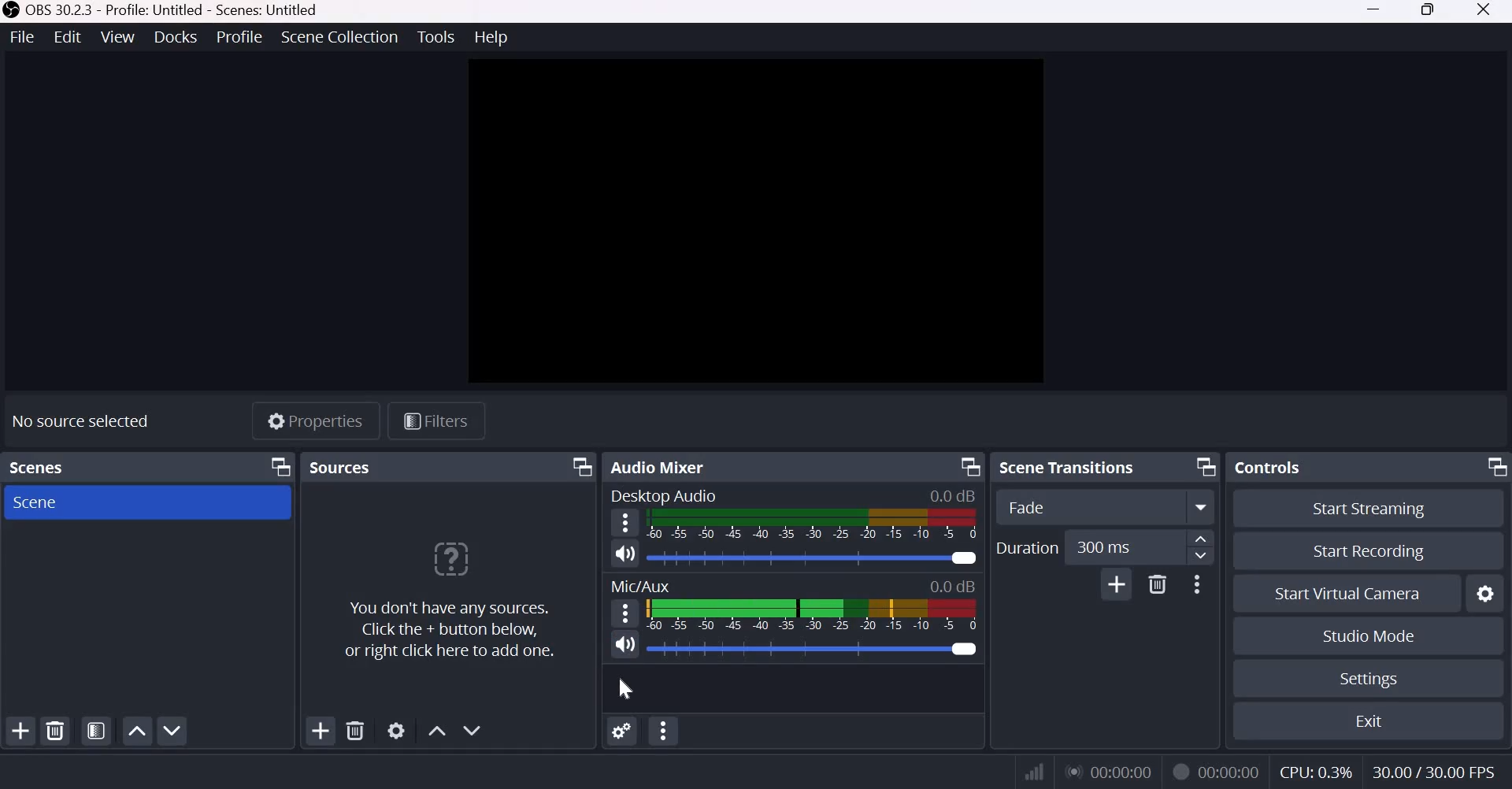  I want to click on audio mixer menu, so click(622, 730).